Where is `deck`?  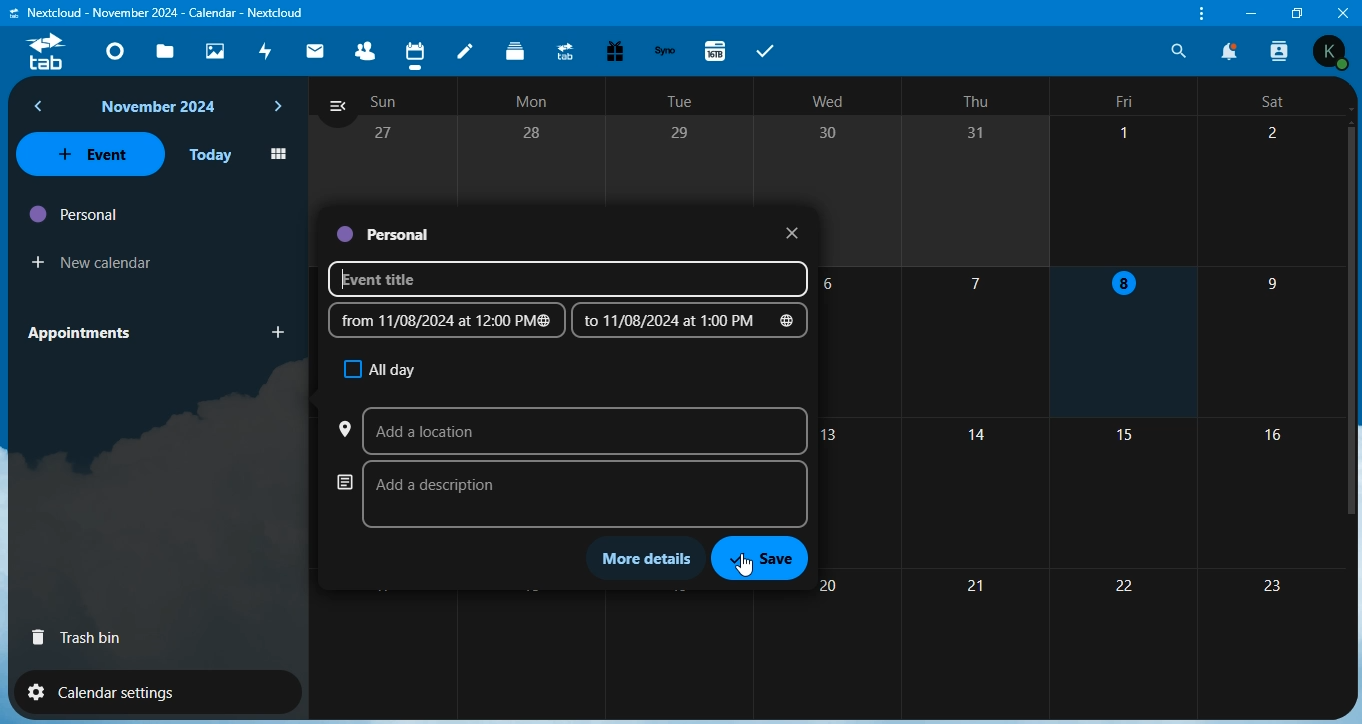 deck is located at coordinates (517, 51).